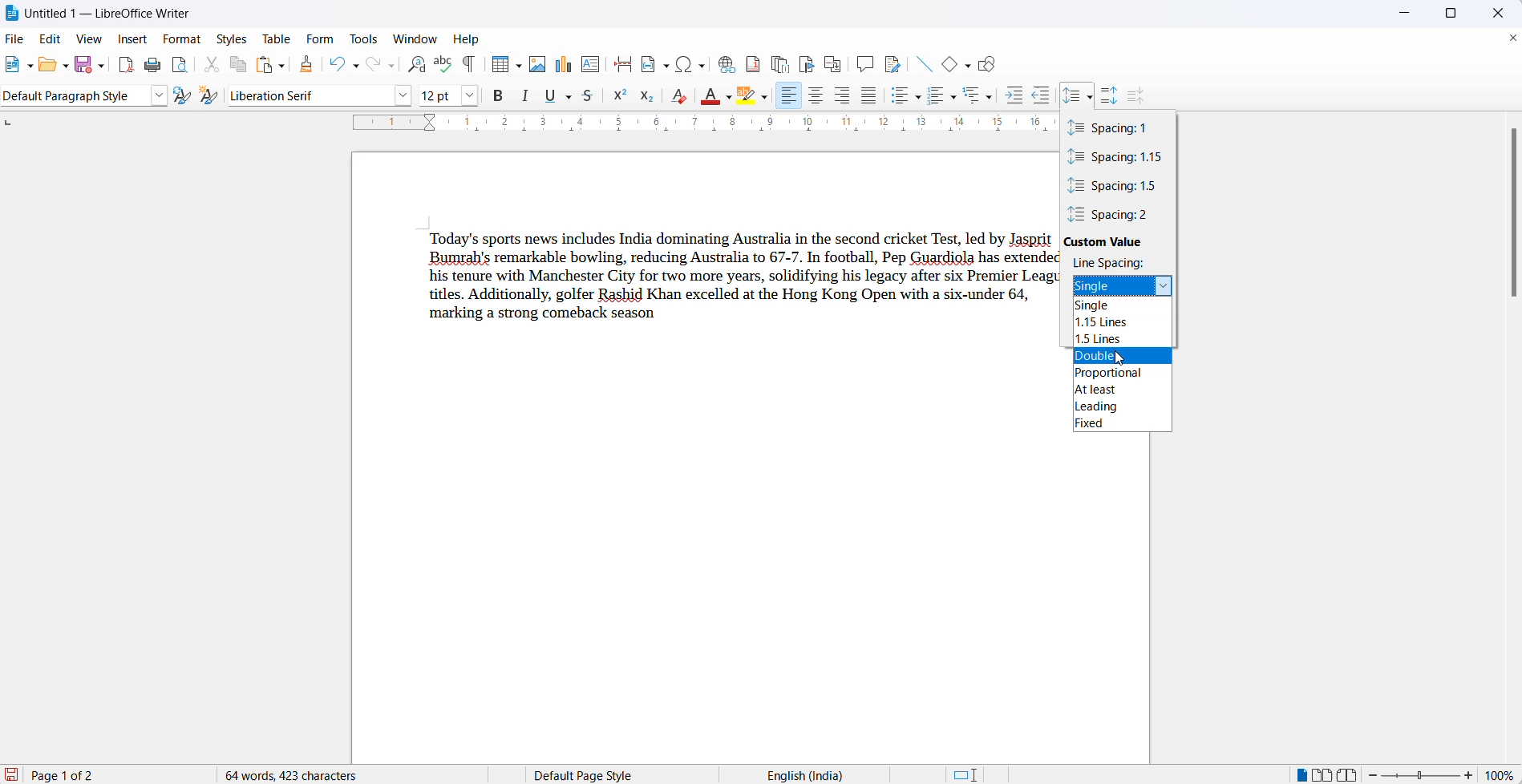  What do you see at coordinates (80, 66) in the screenshot?
I see `save` at bounding box center [80, 66].